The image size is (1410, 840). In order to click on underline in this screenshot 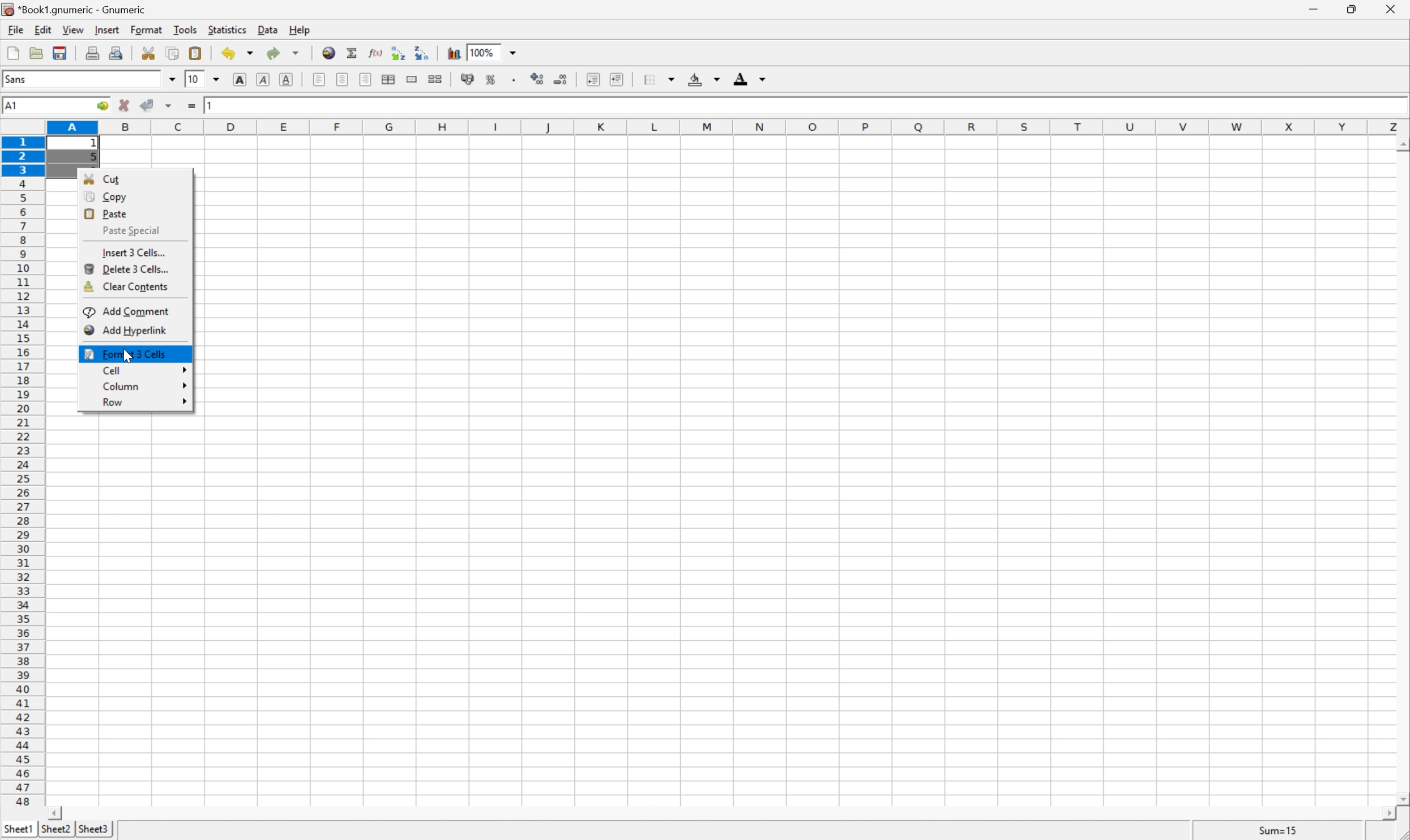, I will do `click(288, 80)`.